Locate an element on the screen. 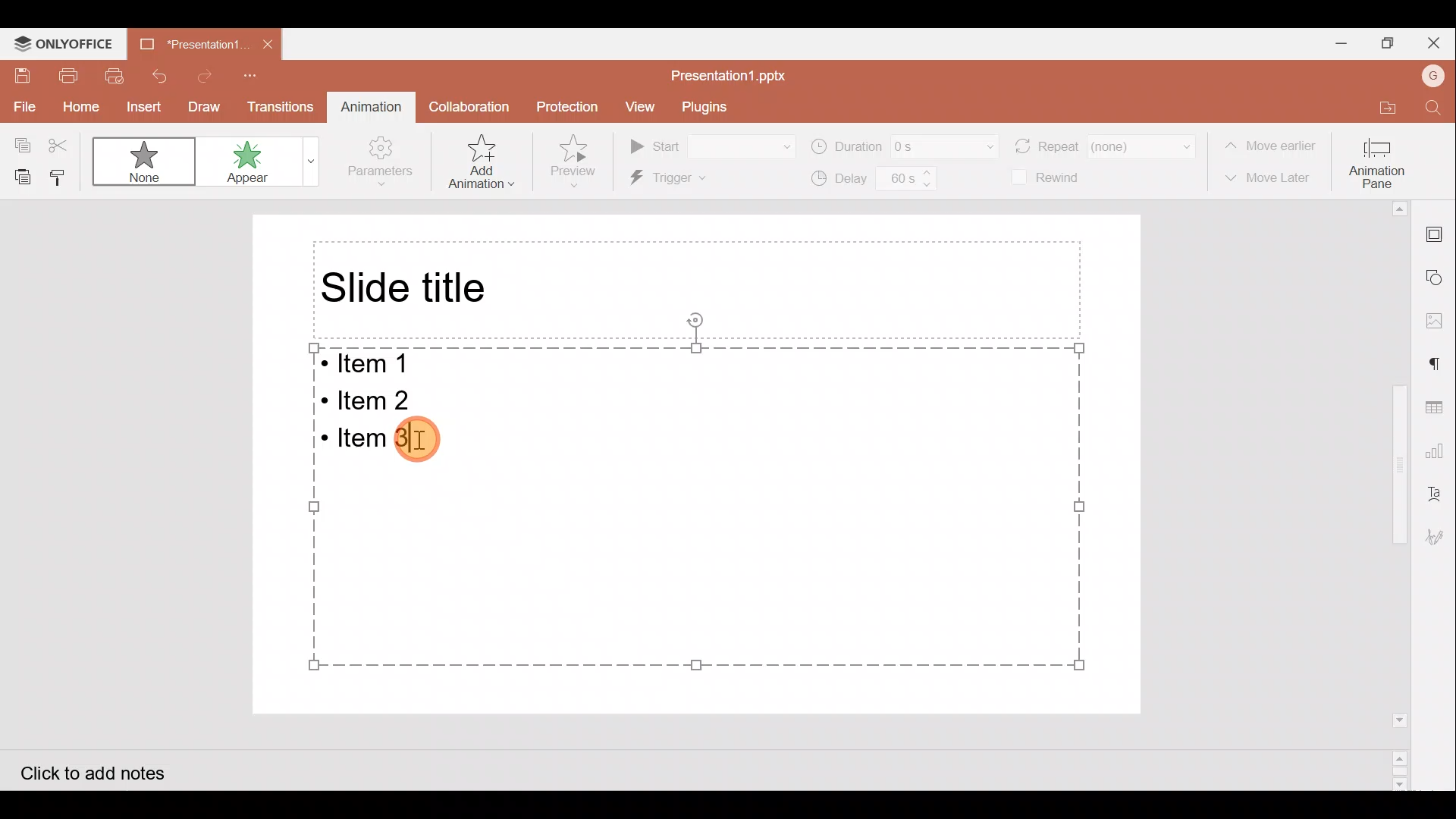 This screenshot has width=1456, height=819. Add animation is located at coordinates (482, 161).